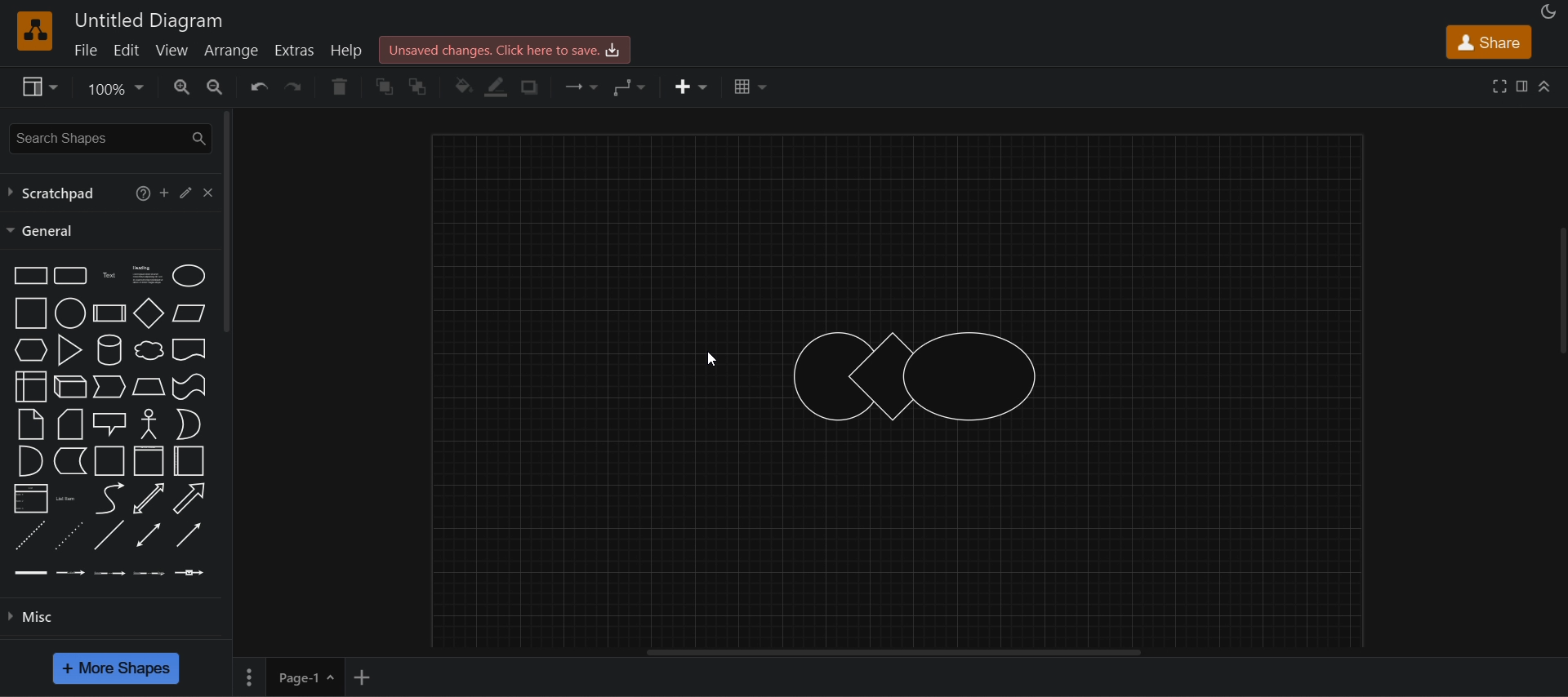 The image size is (1568, 697). What do you see at coordinates (29, 499) in the screenshot?
I see `list` at bounding box center [29, 499].